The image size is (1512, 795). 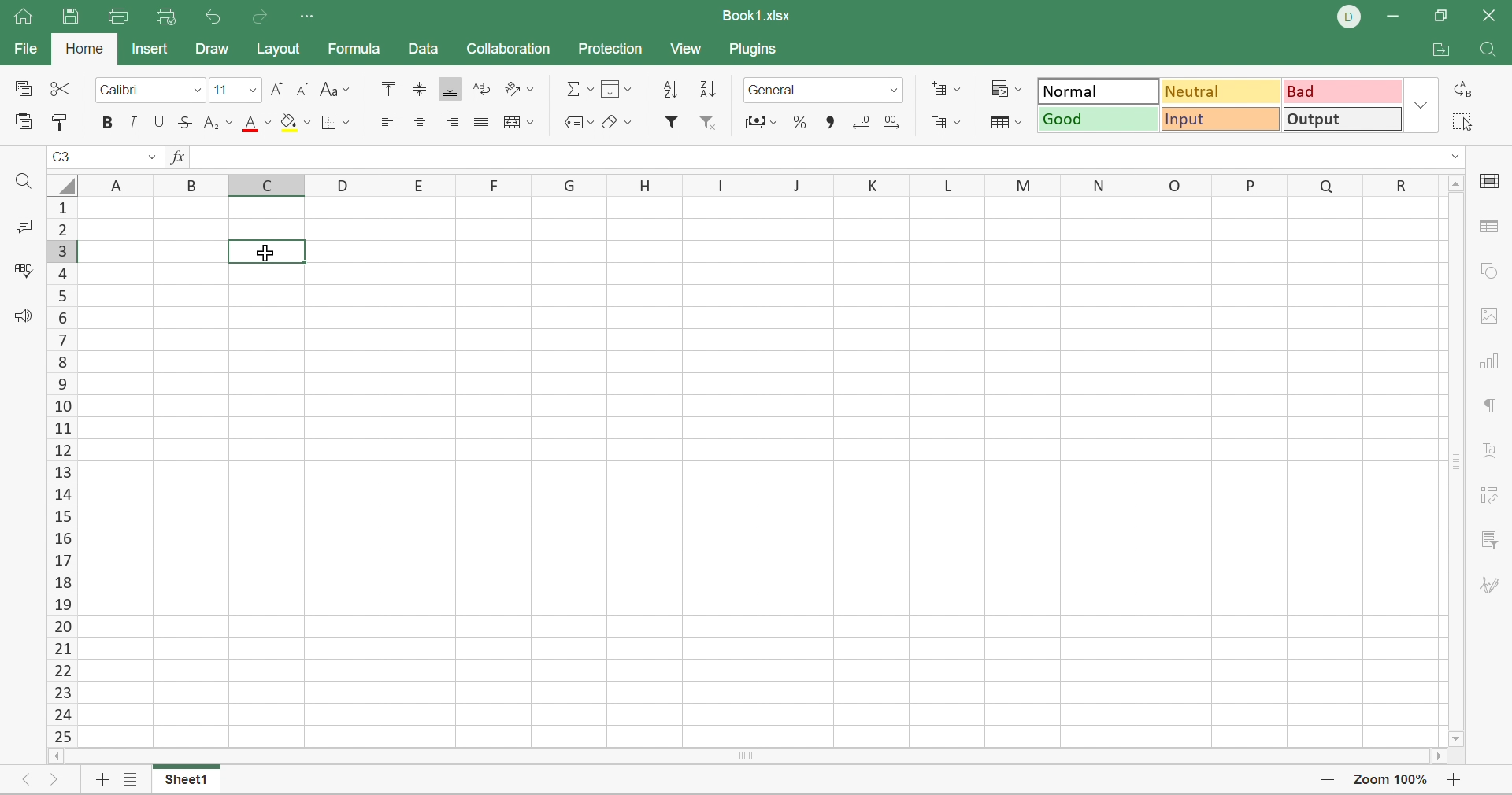 I want to click on Drop Down, so click(x=199, y=89).